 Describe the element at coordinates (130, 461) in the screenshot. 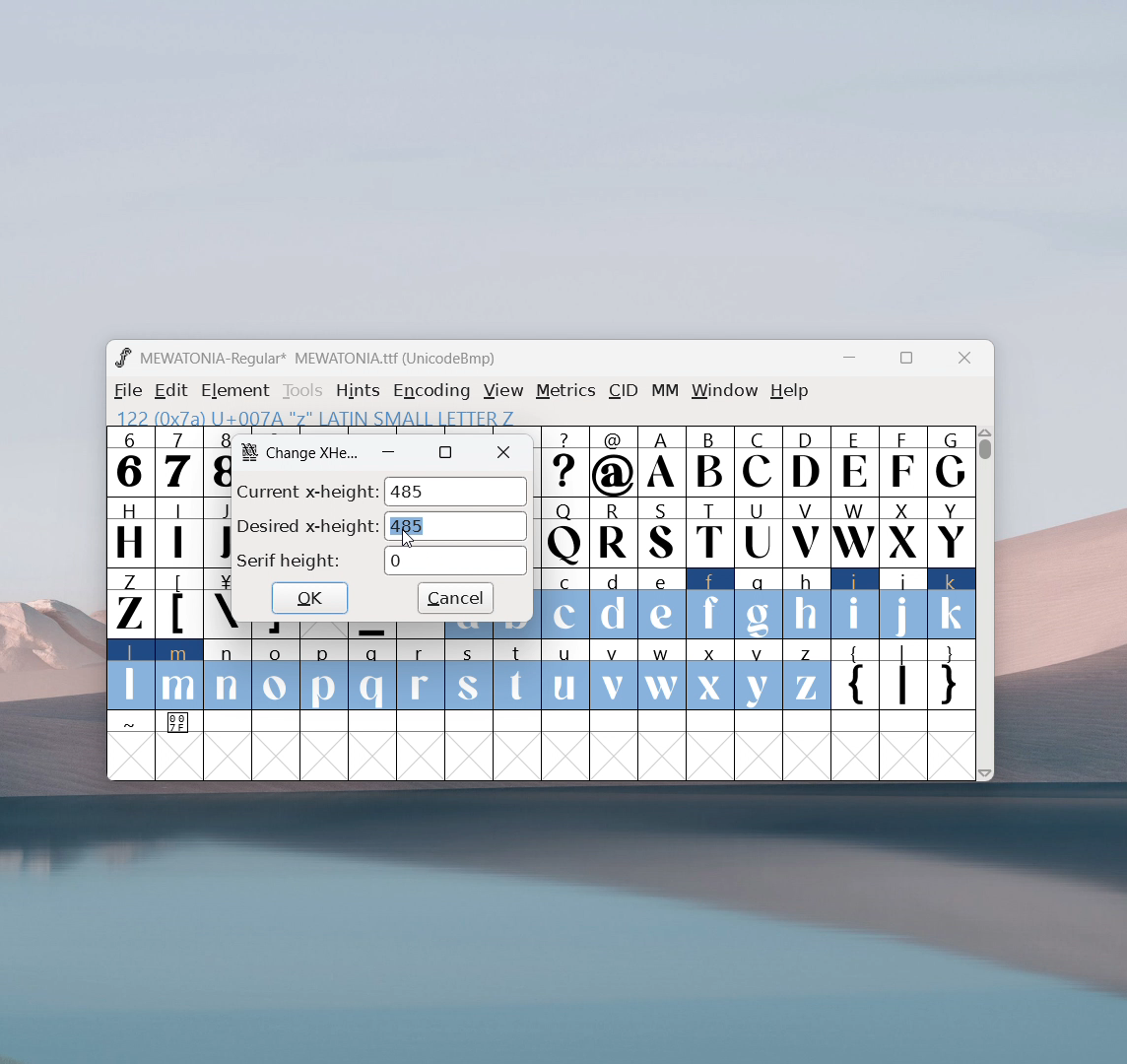

I see `6` at that location.